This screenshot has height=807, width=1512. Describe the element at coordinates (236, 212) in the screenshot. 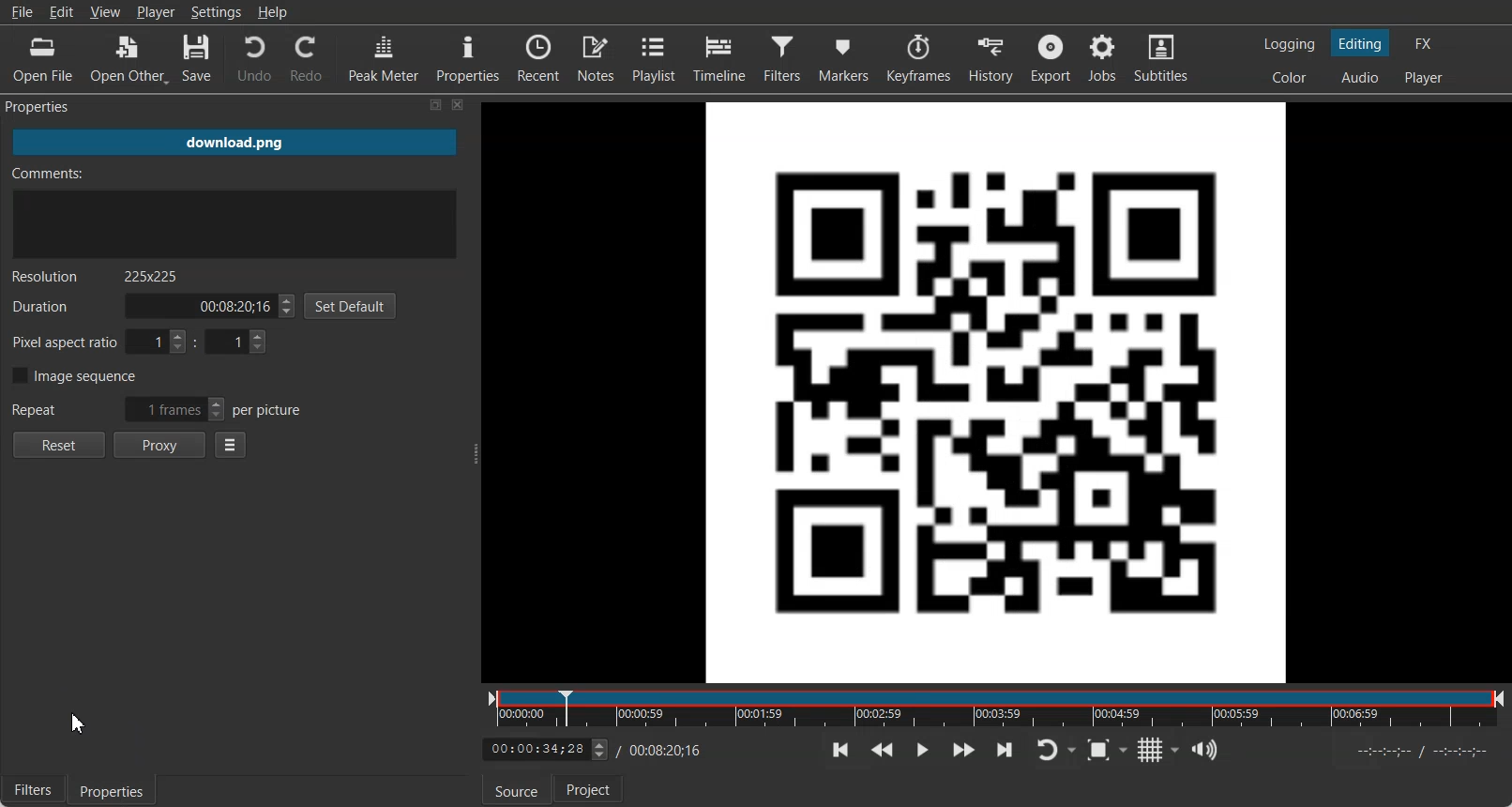

I see `Enter Comment` at that location.